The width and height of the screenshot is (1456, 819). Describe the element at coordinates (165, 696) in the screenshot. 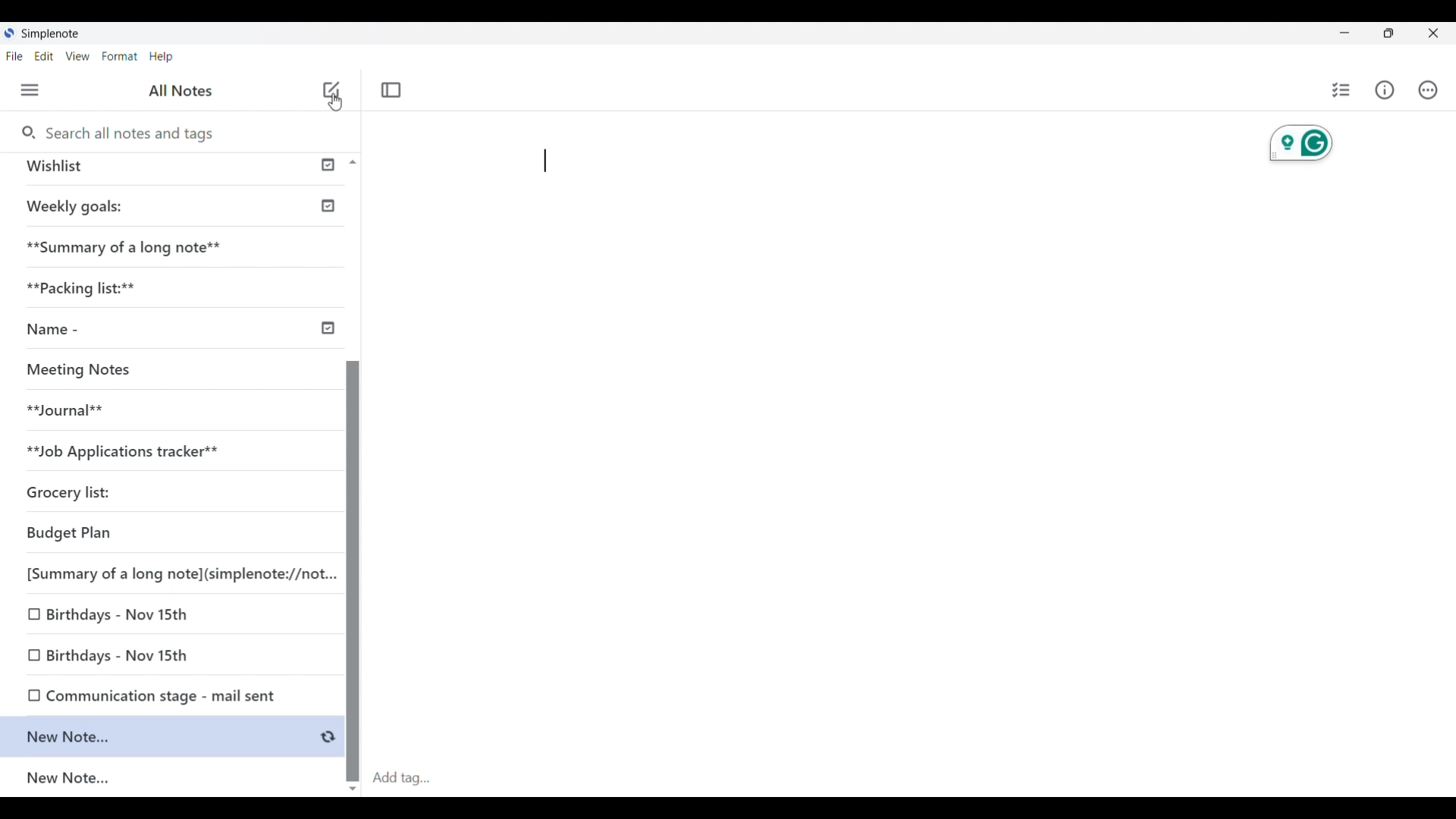

I see `Communication stage - mail sent` at that location.